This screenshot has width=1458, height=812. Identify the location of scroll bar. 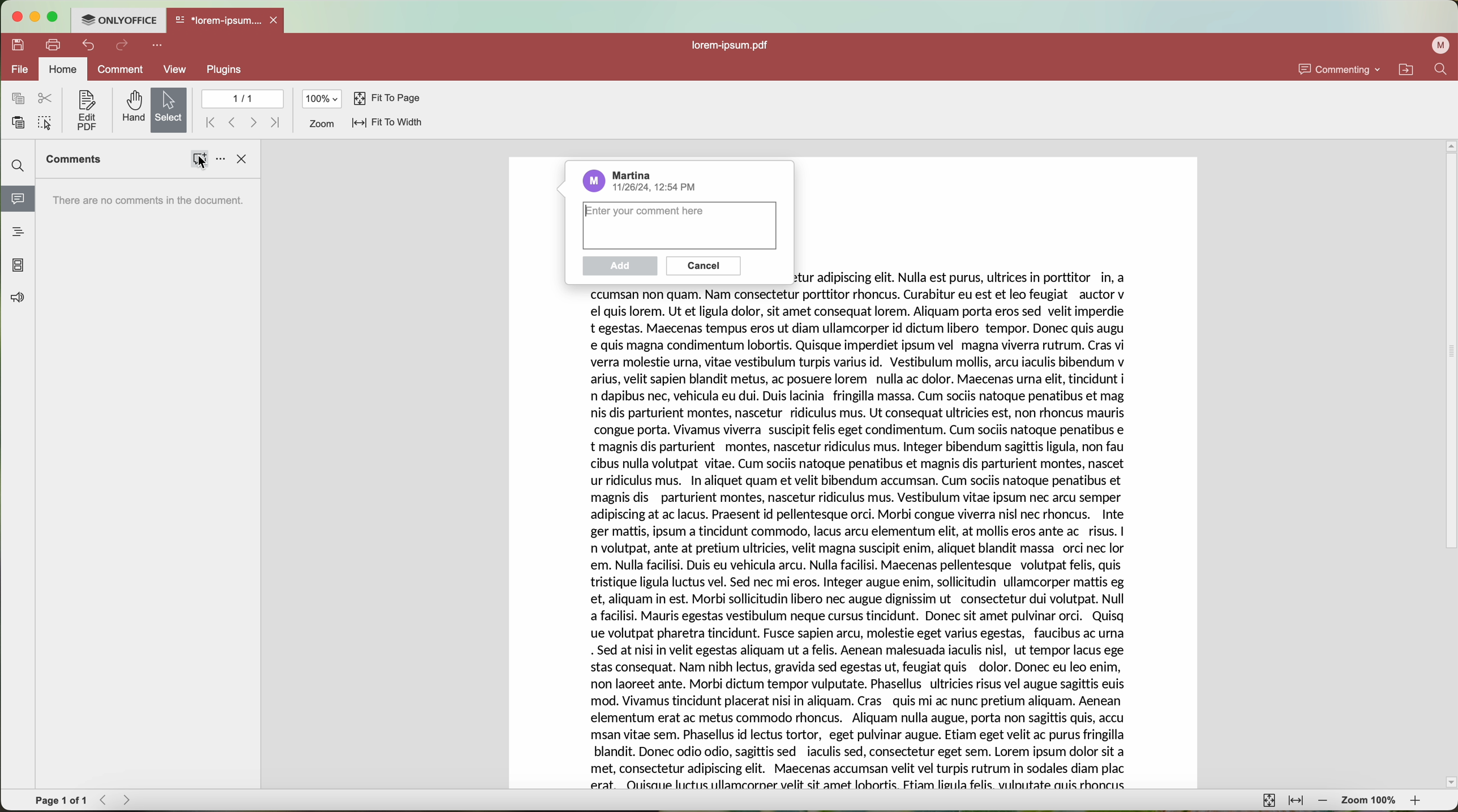
(1449, 464).